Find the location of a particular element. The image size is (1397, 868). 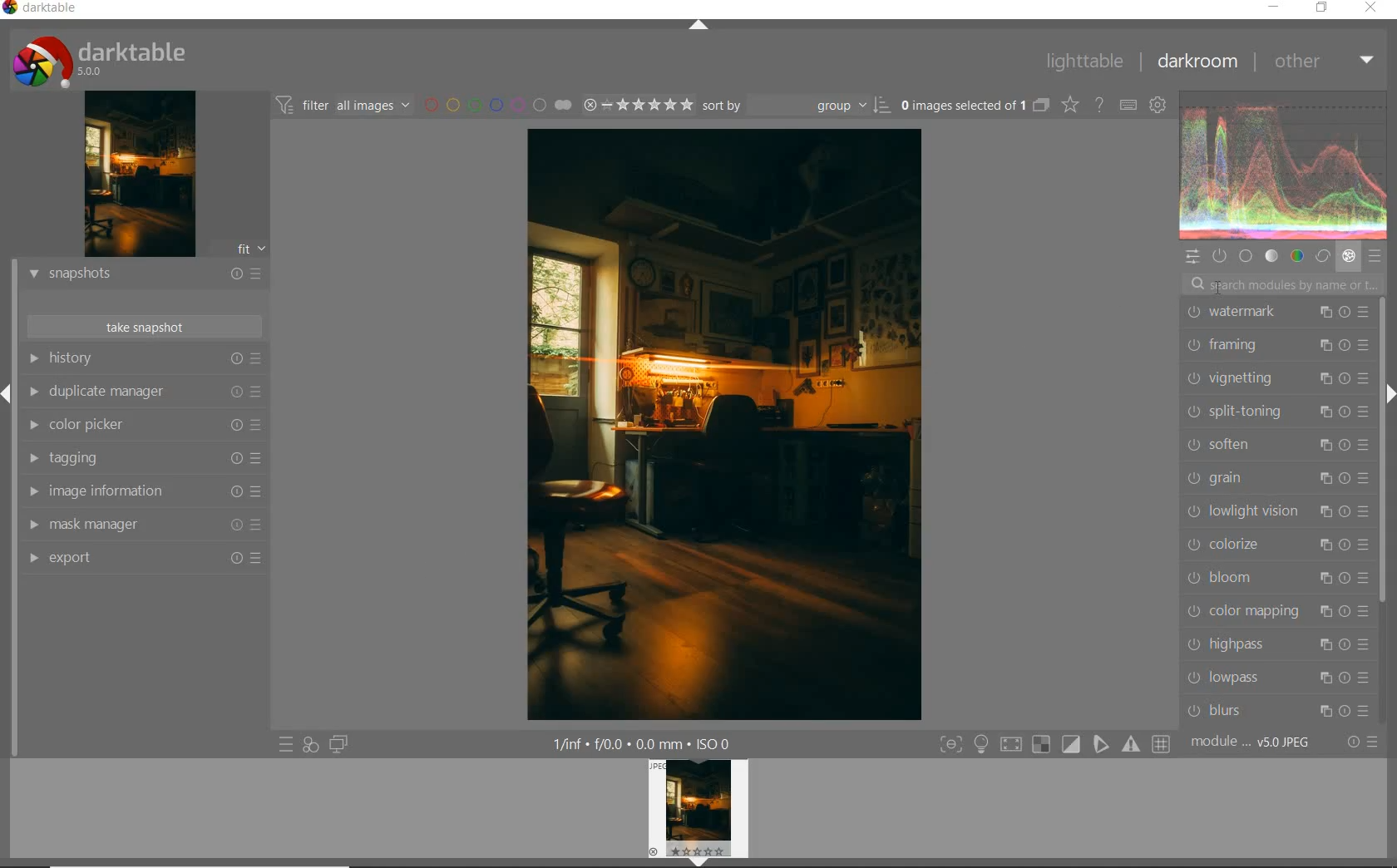

quick access to presets is located at coordinates (287, 743).